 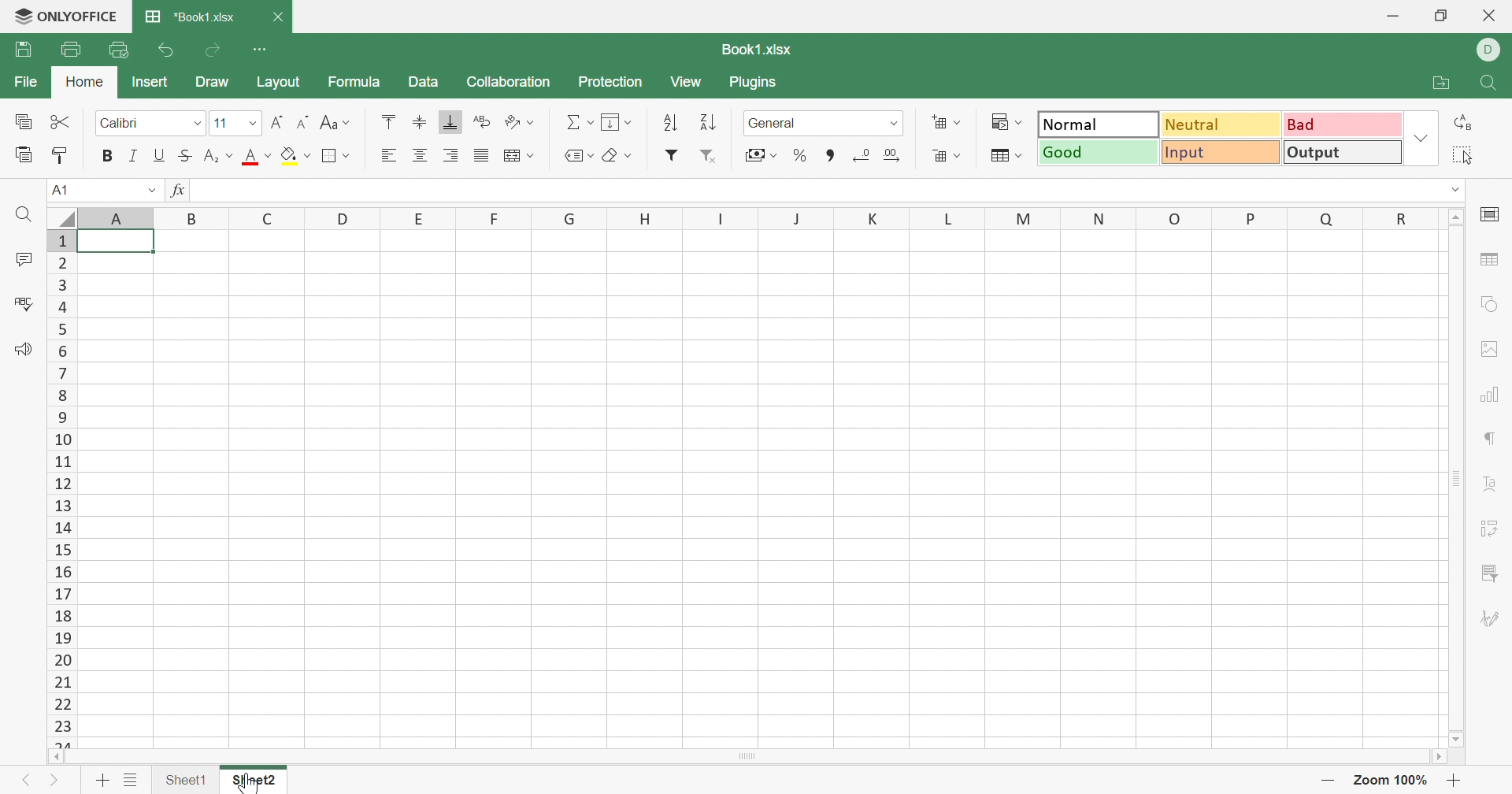 What do you see at coordinates (135, 154) in the screenshot?
I see `Italic` at bounding box center [135, 154].